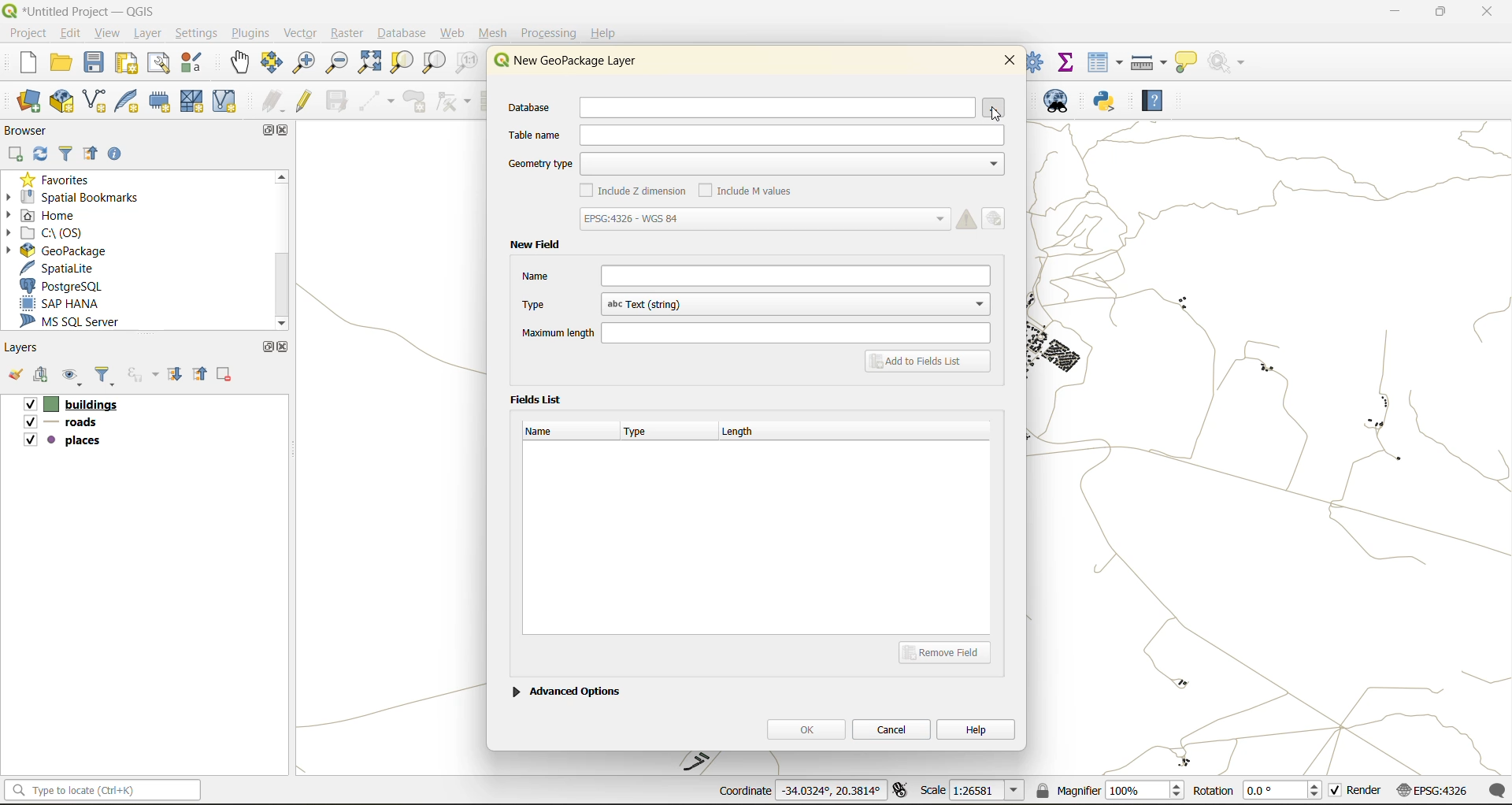  I want to click on layer, so click(151, 34).